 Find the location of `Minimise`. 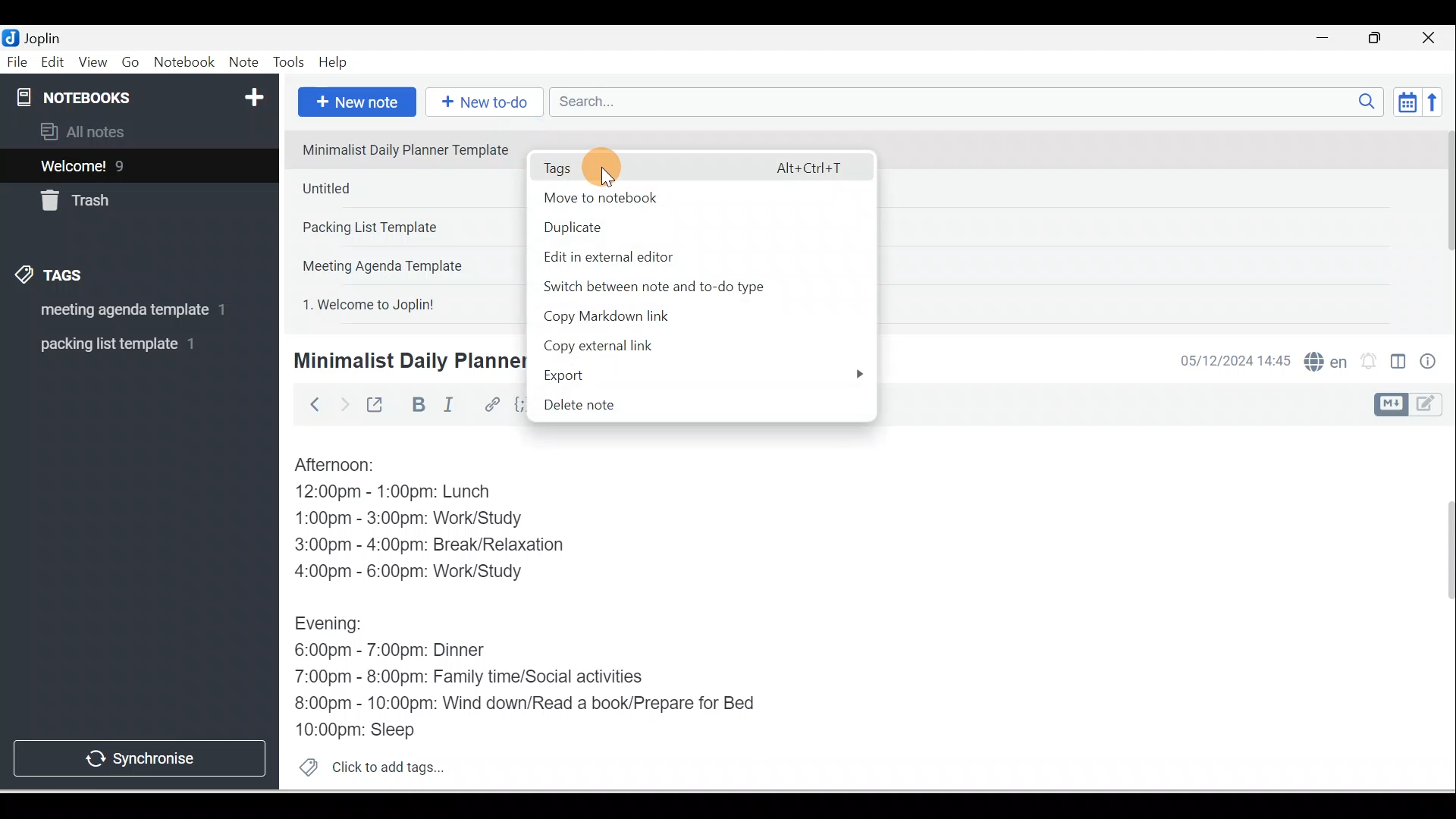

Minimise is located at coordinates (1327, 39).